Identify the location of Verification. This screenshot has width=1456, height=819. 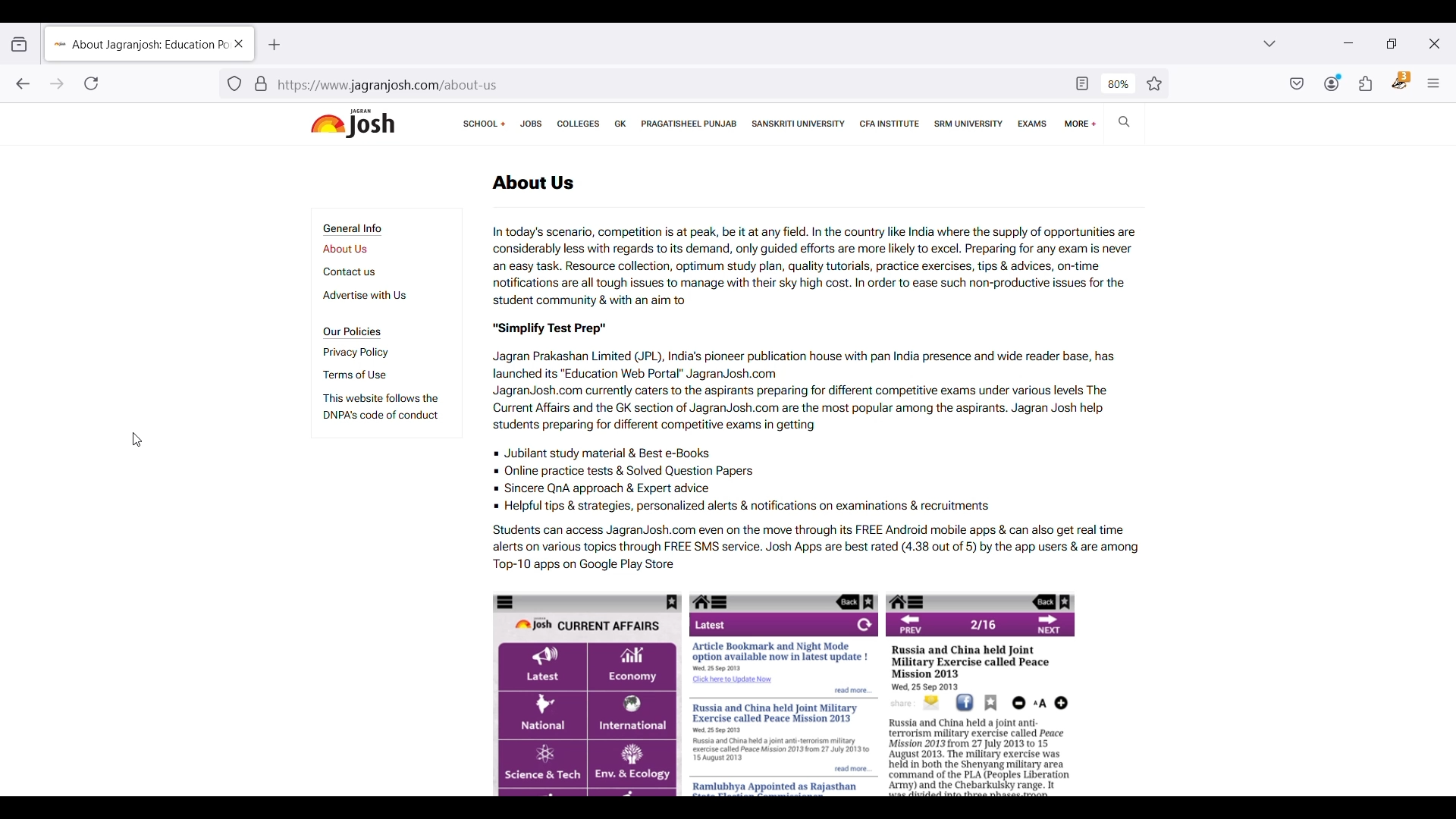
(261, 81).